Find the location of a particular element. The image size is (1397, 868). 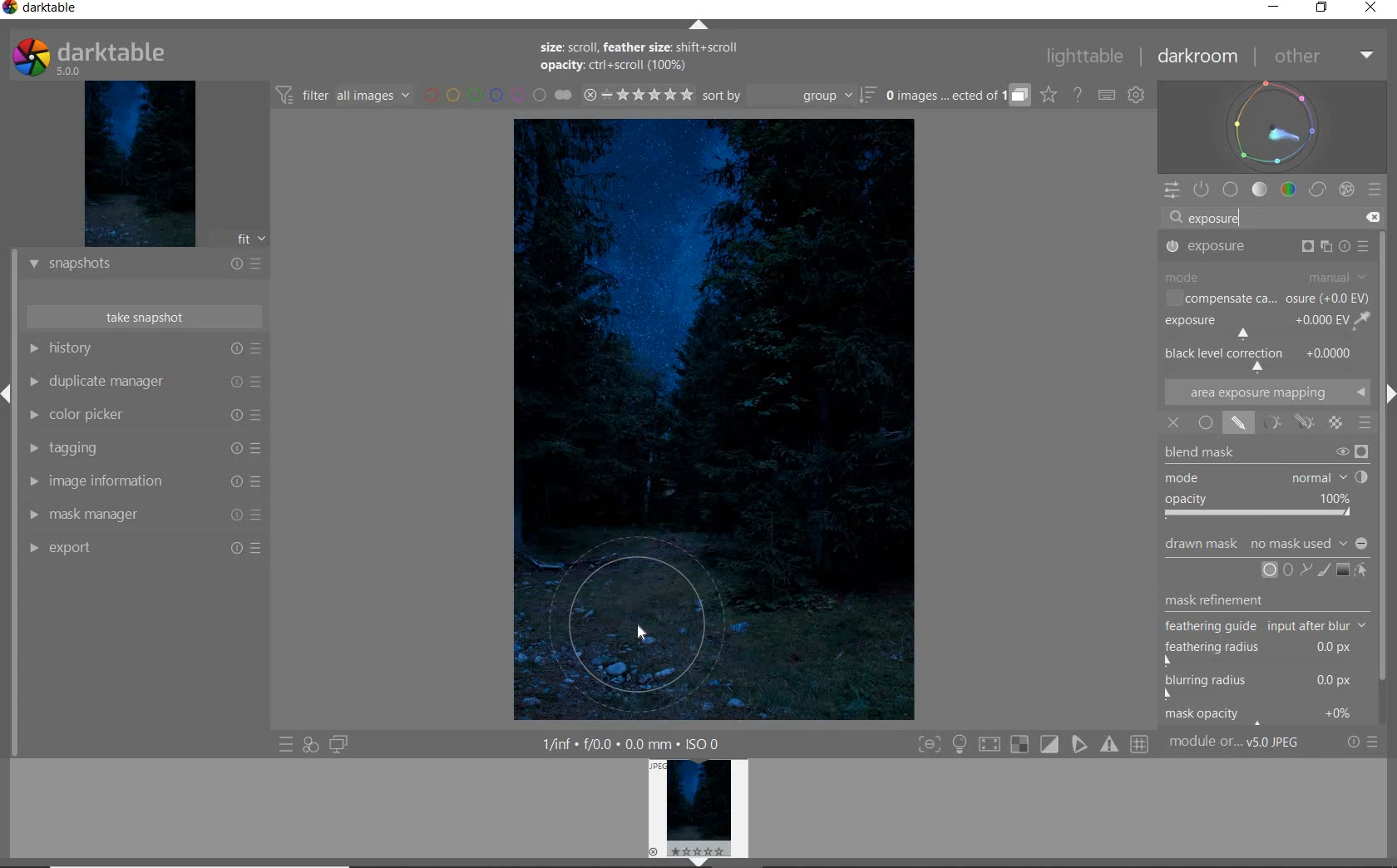

OFF is located at coordinates (1173, 423).